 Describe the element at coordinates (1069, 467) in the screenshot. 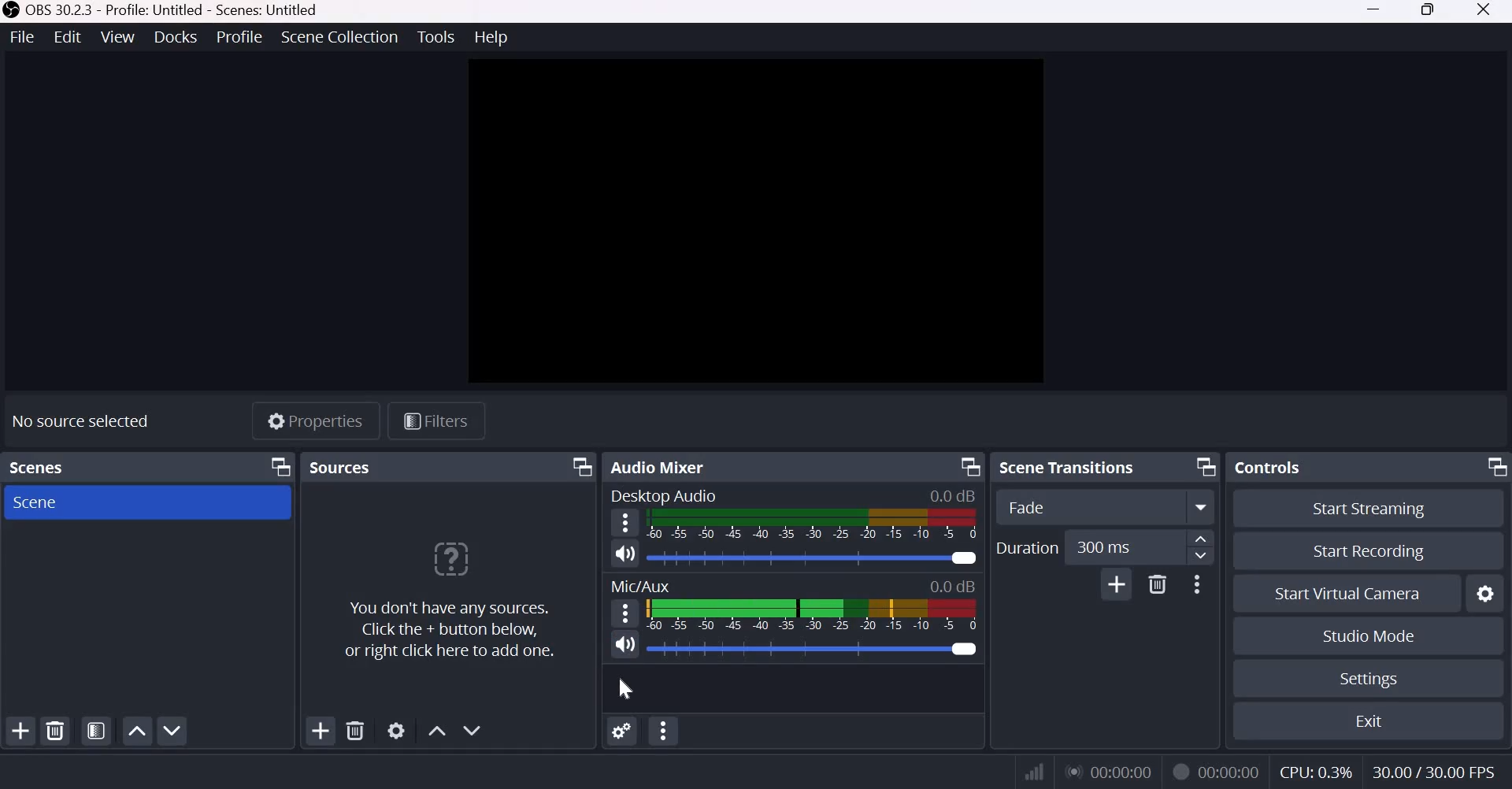

I see `Scene transitions` at that location.